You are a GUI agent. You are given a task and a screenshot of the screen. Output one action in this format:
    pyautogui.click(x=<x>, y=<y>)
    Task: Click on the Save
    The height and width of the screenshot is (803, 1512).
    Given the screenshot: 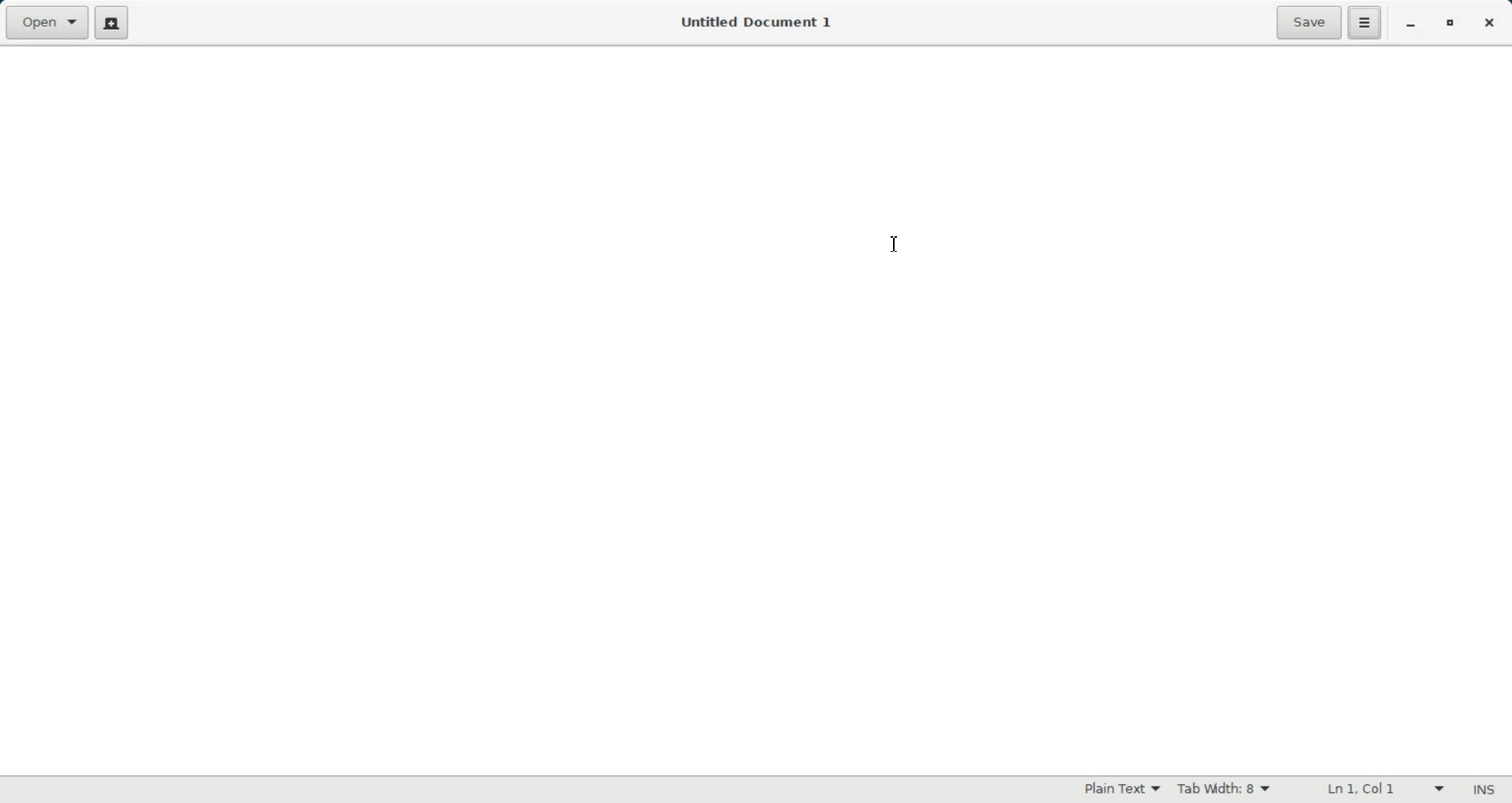 What is the action you would take?
    pyautogui.click(x=1307, y=23)
    